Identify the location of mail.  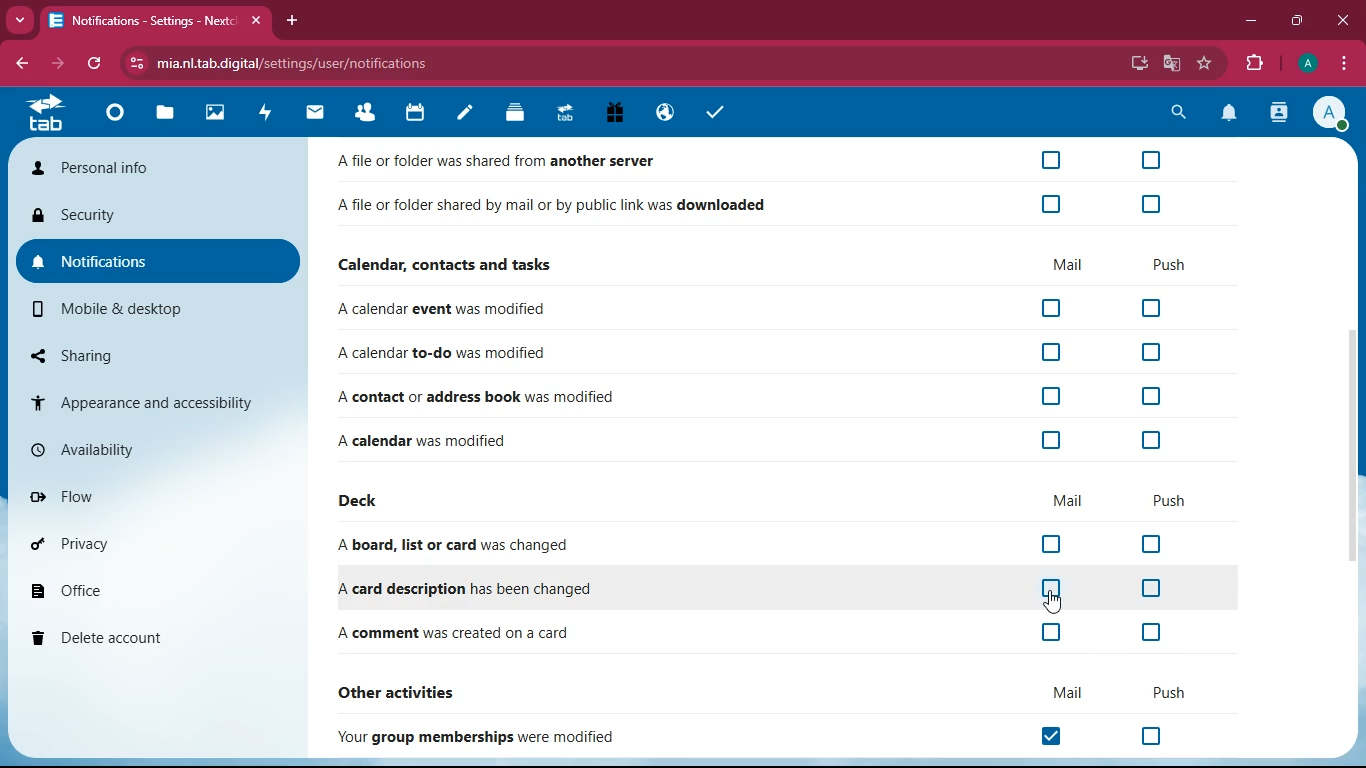
(1066, 265).